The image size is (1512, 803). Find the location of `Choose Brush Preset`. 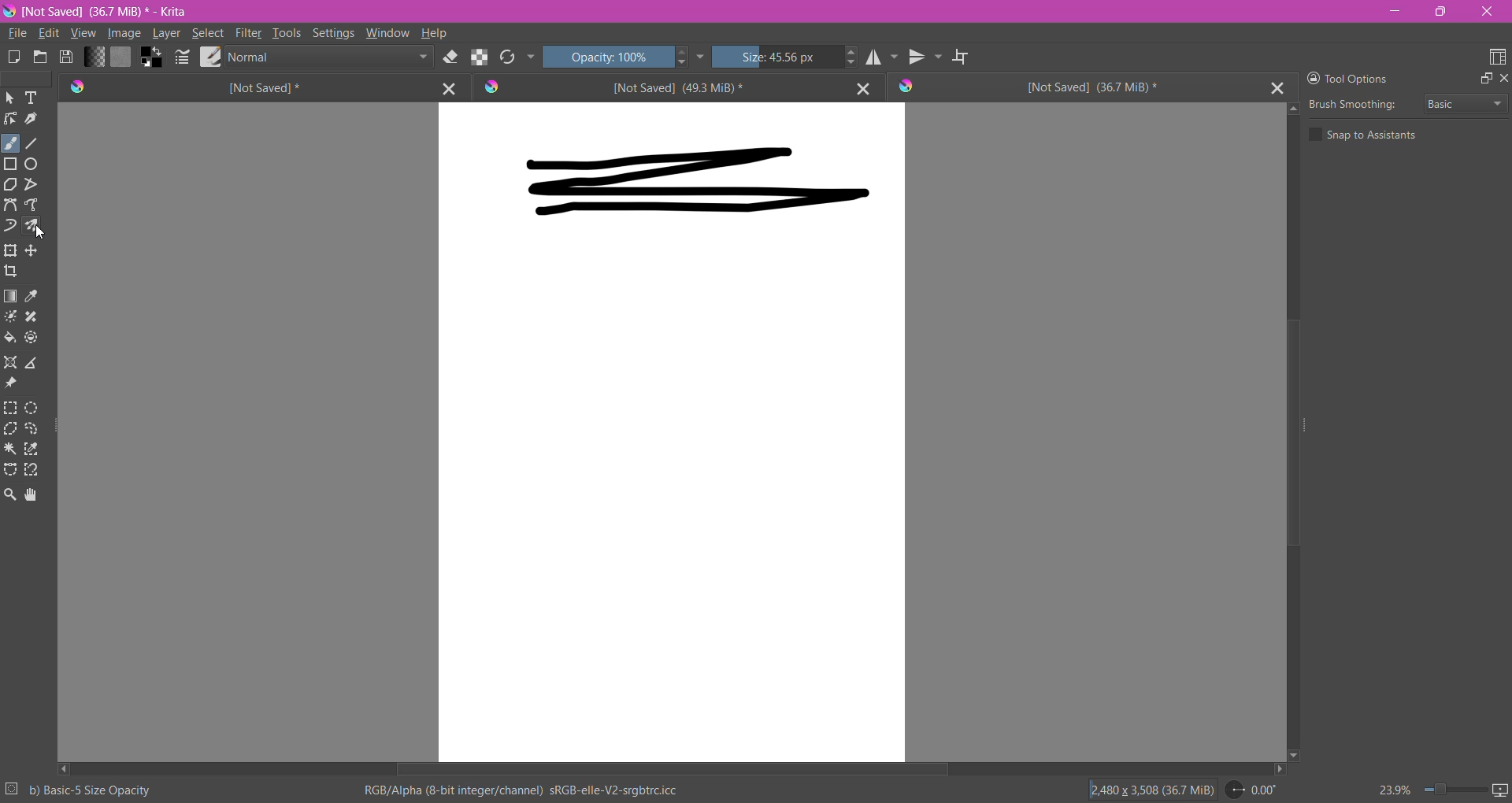

Choose Brush Preset is located at coordinates (209, 57).